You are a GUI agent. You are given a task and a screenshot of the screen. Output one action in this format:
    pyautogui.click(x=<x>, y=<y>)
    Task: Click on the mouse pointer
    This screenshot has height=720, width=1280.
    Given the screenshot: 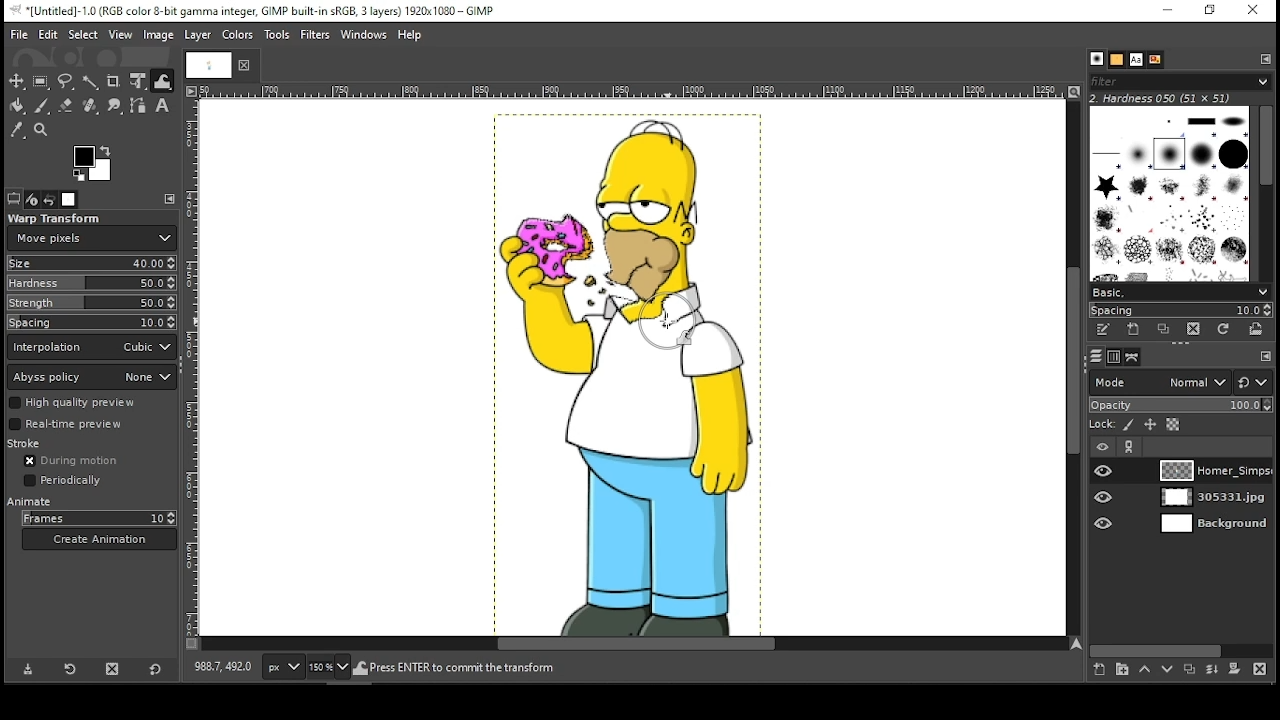 What is the action you would take?
    pyautogui.click(x=665, y=323)
    